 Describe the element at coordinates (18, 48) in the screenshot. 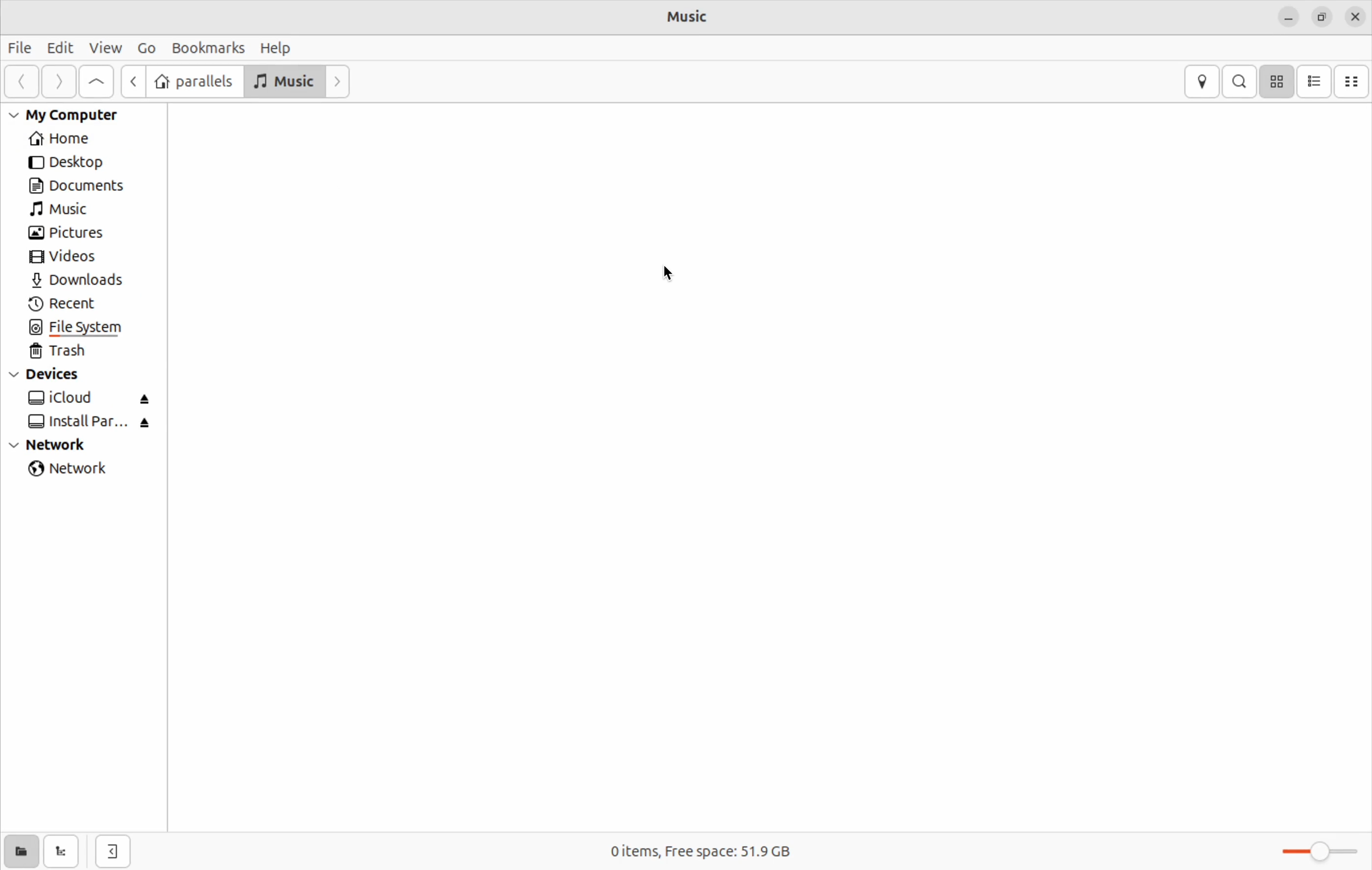

I see `file` at that location.